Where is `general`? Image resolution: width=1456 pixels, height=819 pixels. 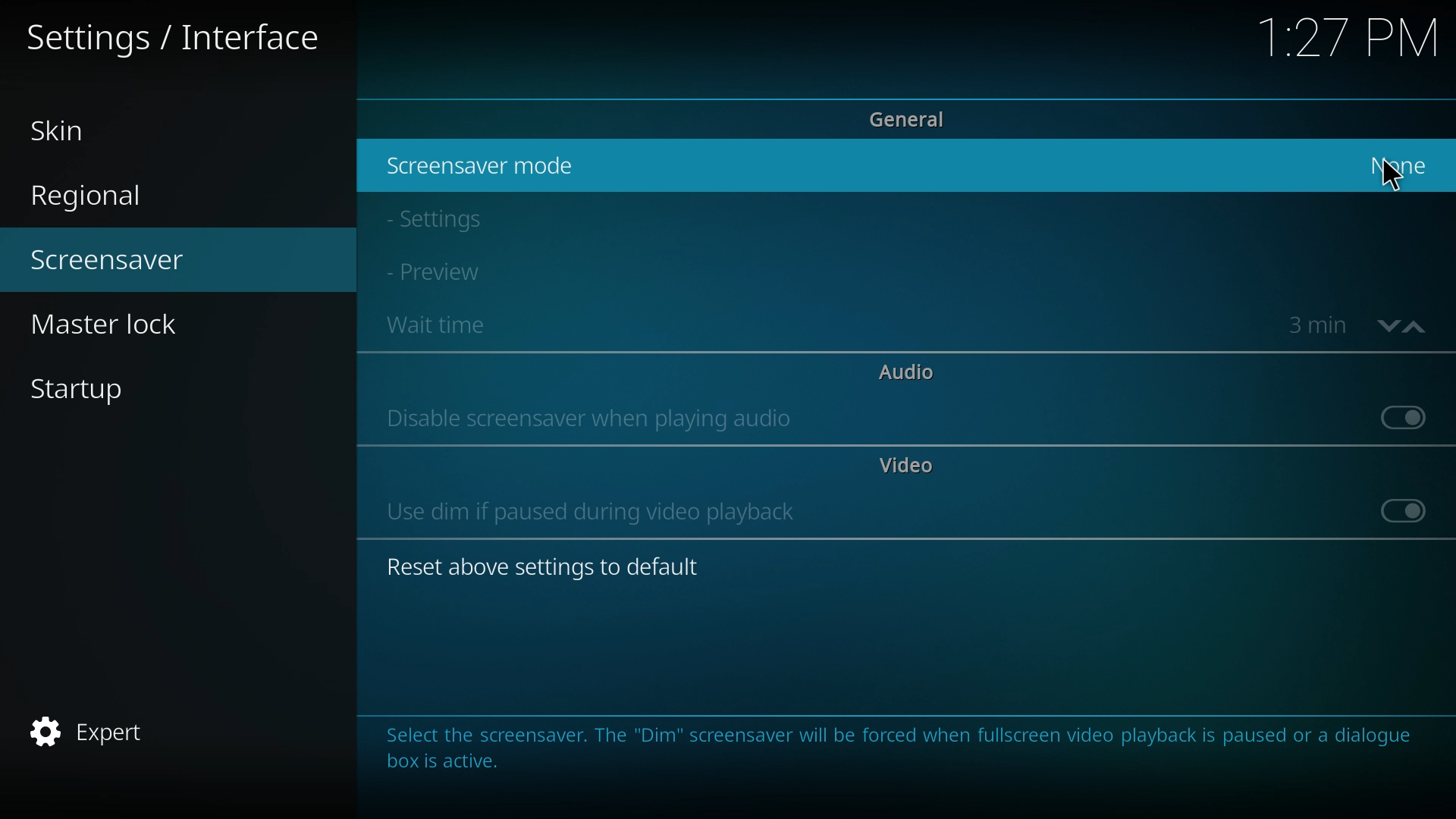
general is located at coordinates (915, 119).